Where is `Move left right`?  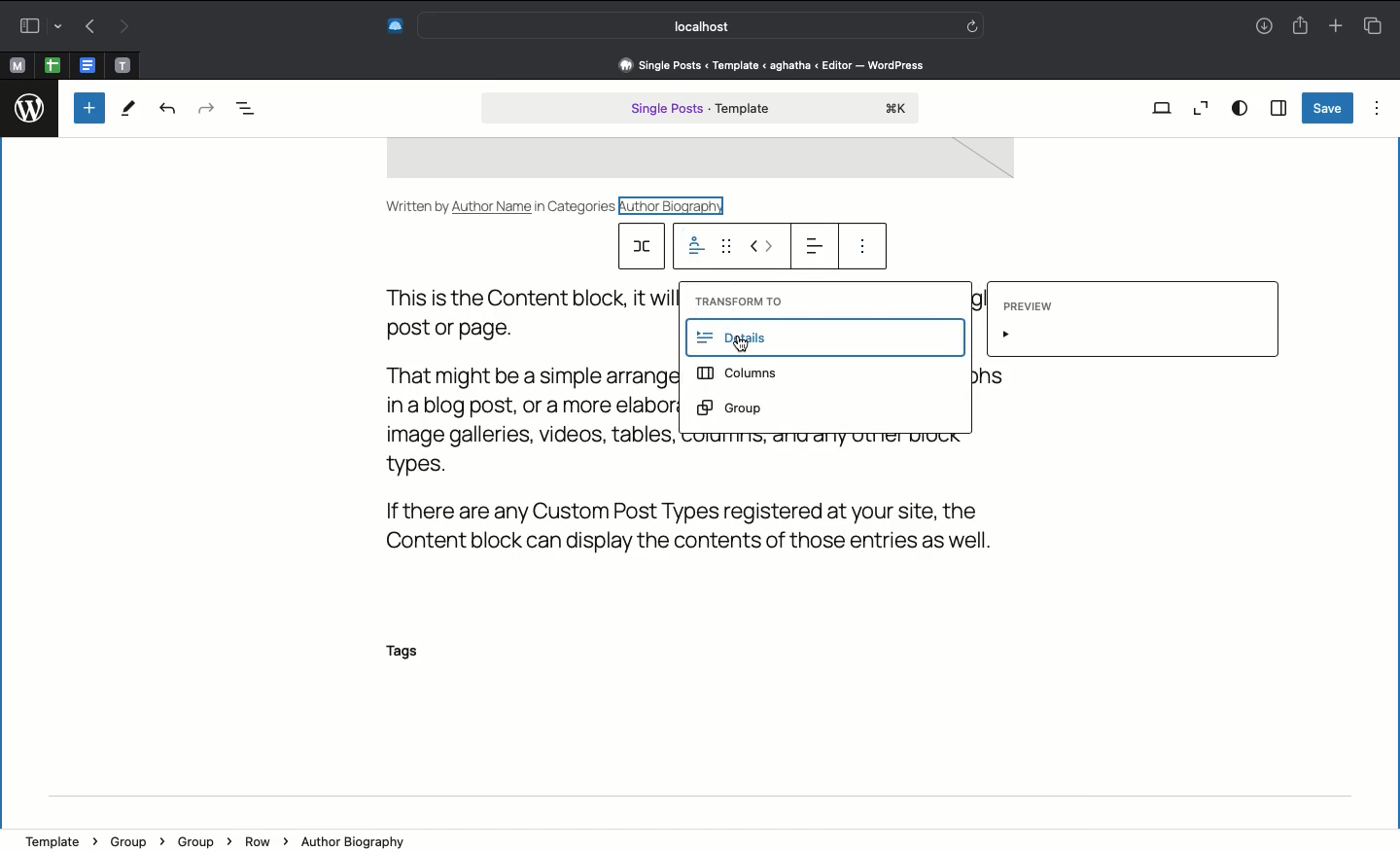 Move left right is located at coordinates (763, 246).